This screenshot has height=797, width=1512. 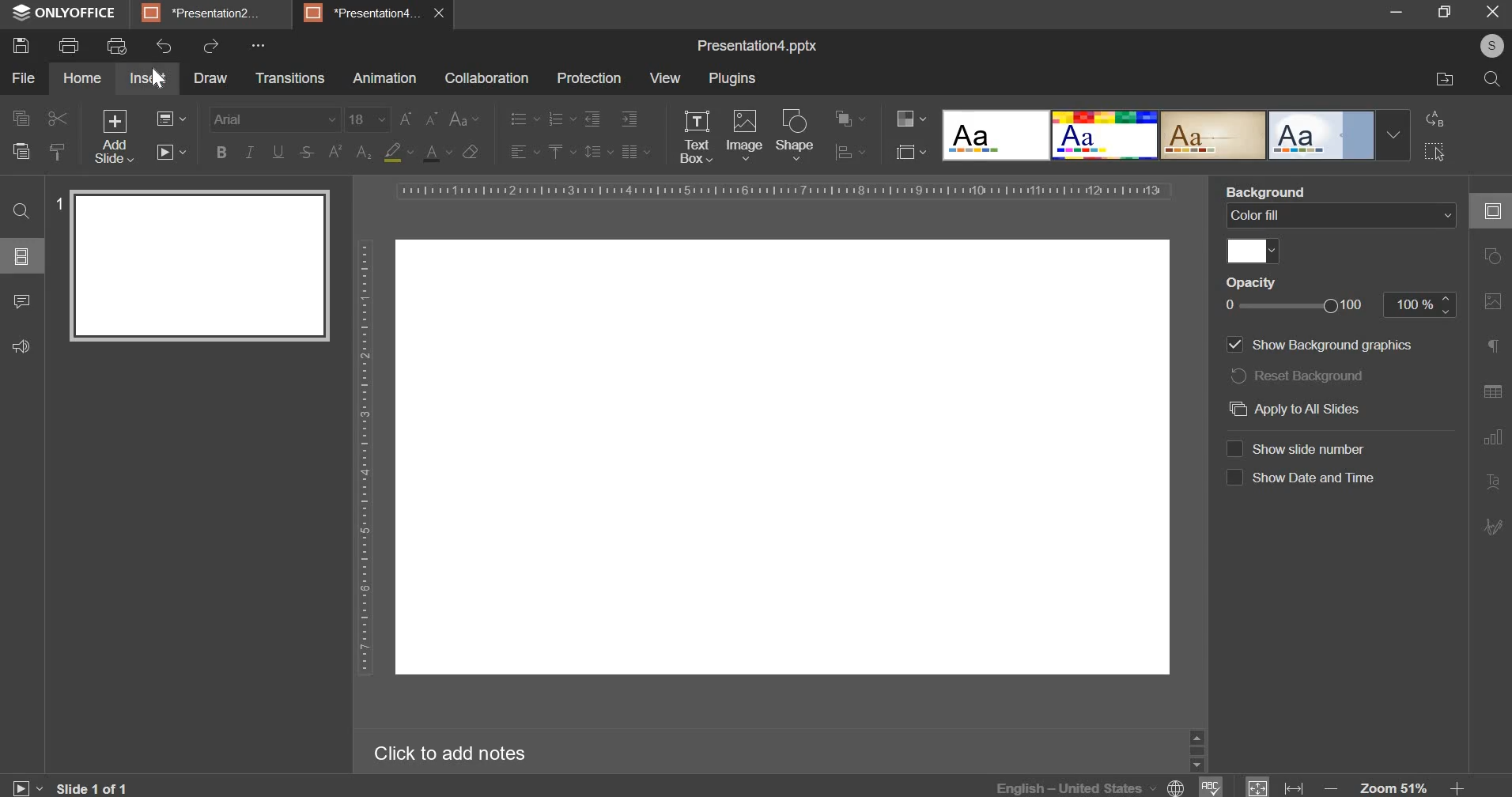 What do you see at coordinates (92, 786) in the screenshot?
I see `slide 1 of 1` at bounding box center [92, 786].